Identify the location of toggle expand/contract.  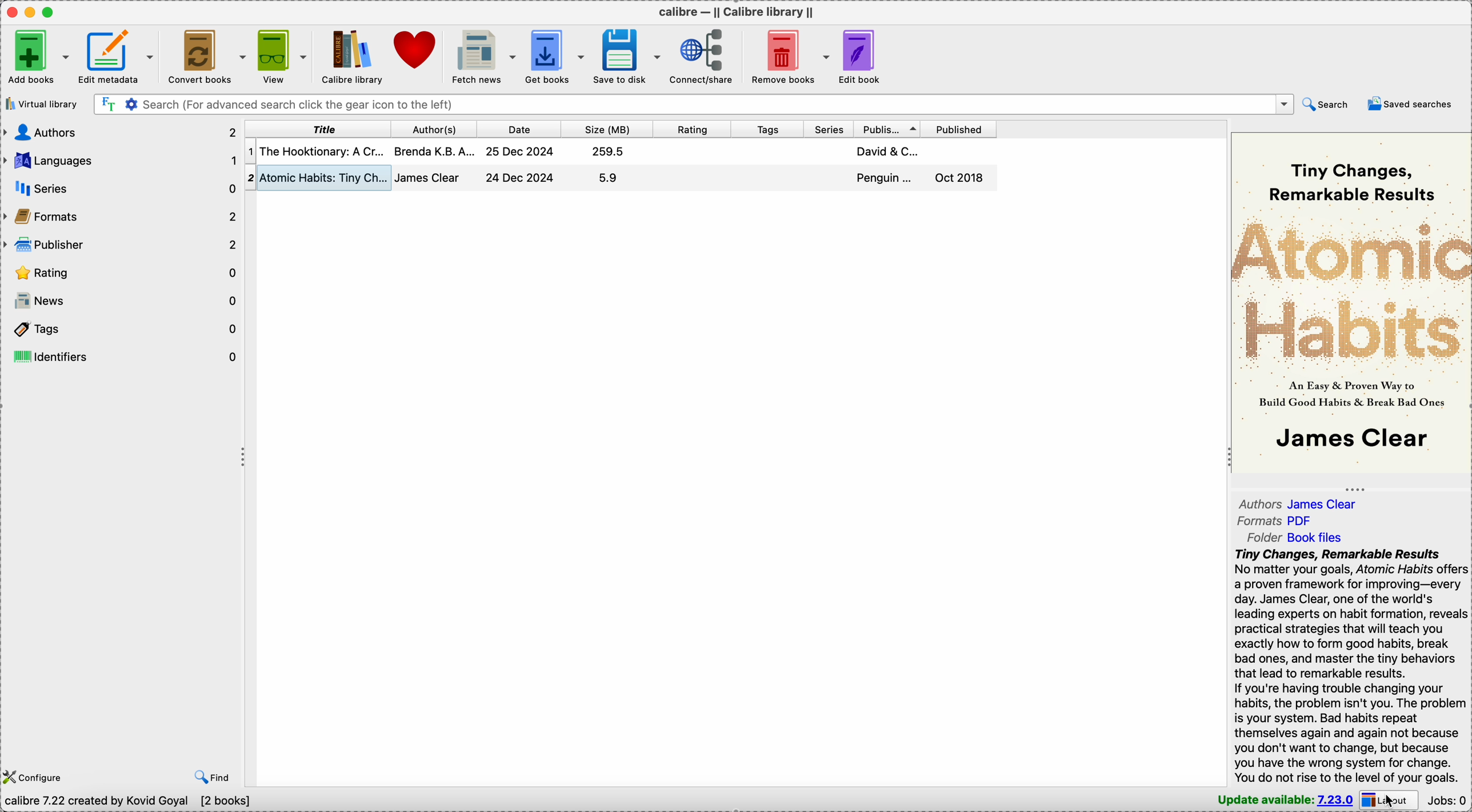
(1230, 456).